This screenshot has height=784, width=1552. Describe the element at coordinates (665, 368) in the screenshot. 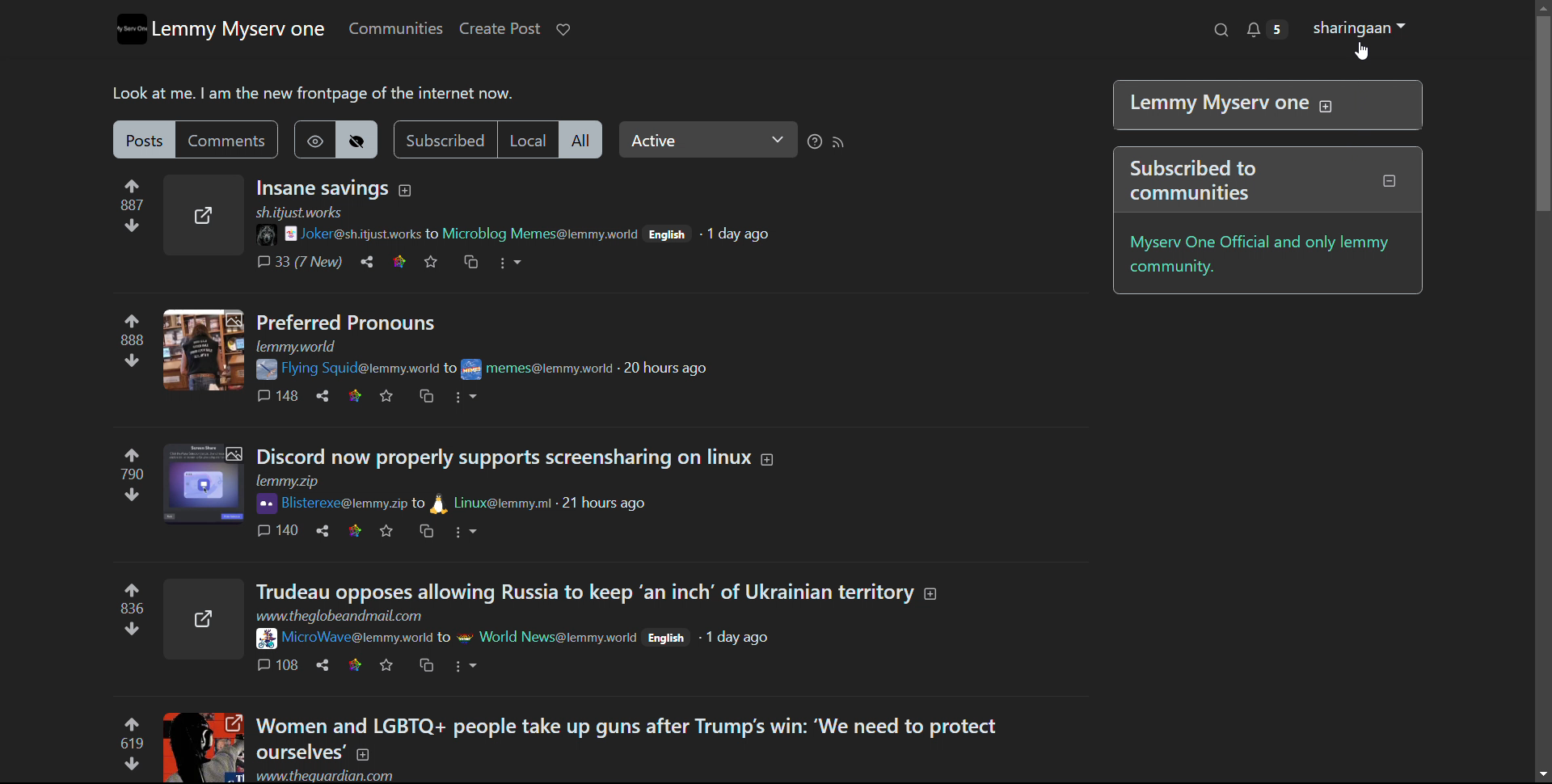

I see `20 hours ago ` at that location.